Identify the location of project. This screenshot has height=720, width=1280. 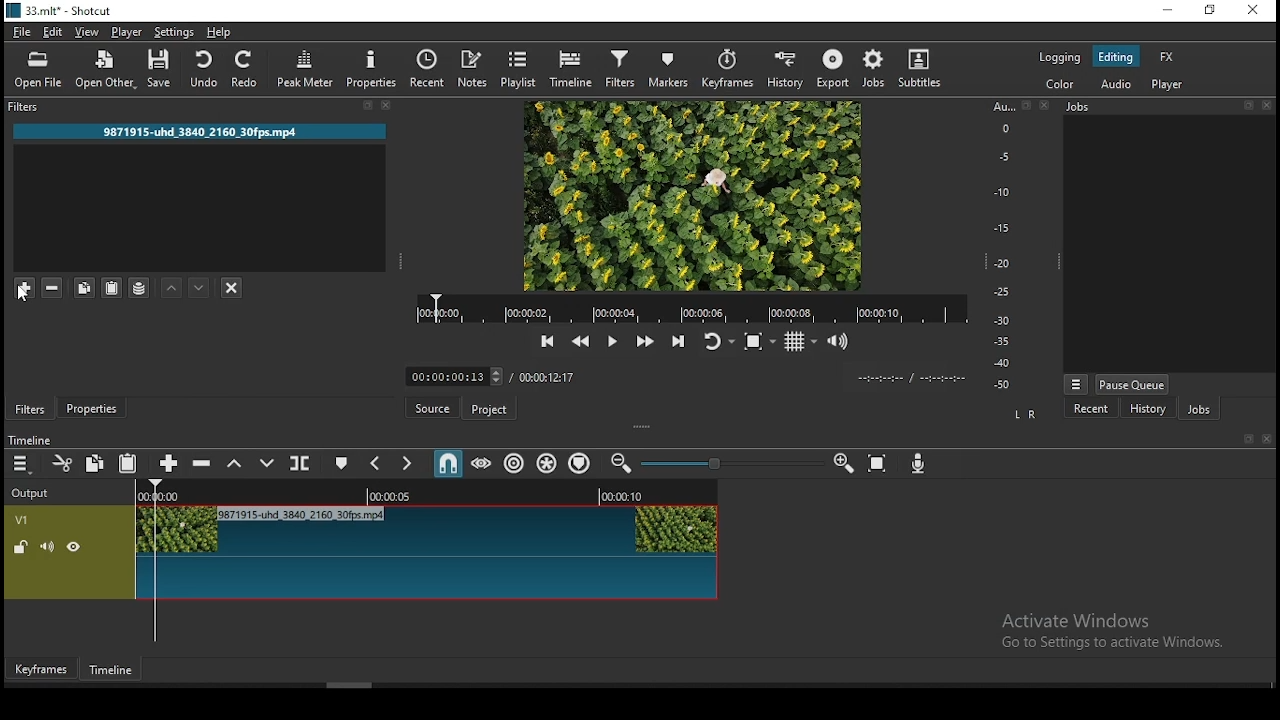
(493, 409).